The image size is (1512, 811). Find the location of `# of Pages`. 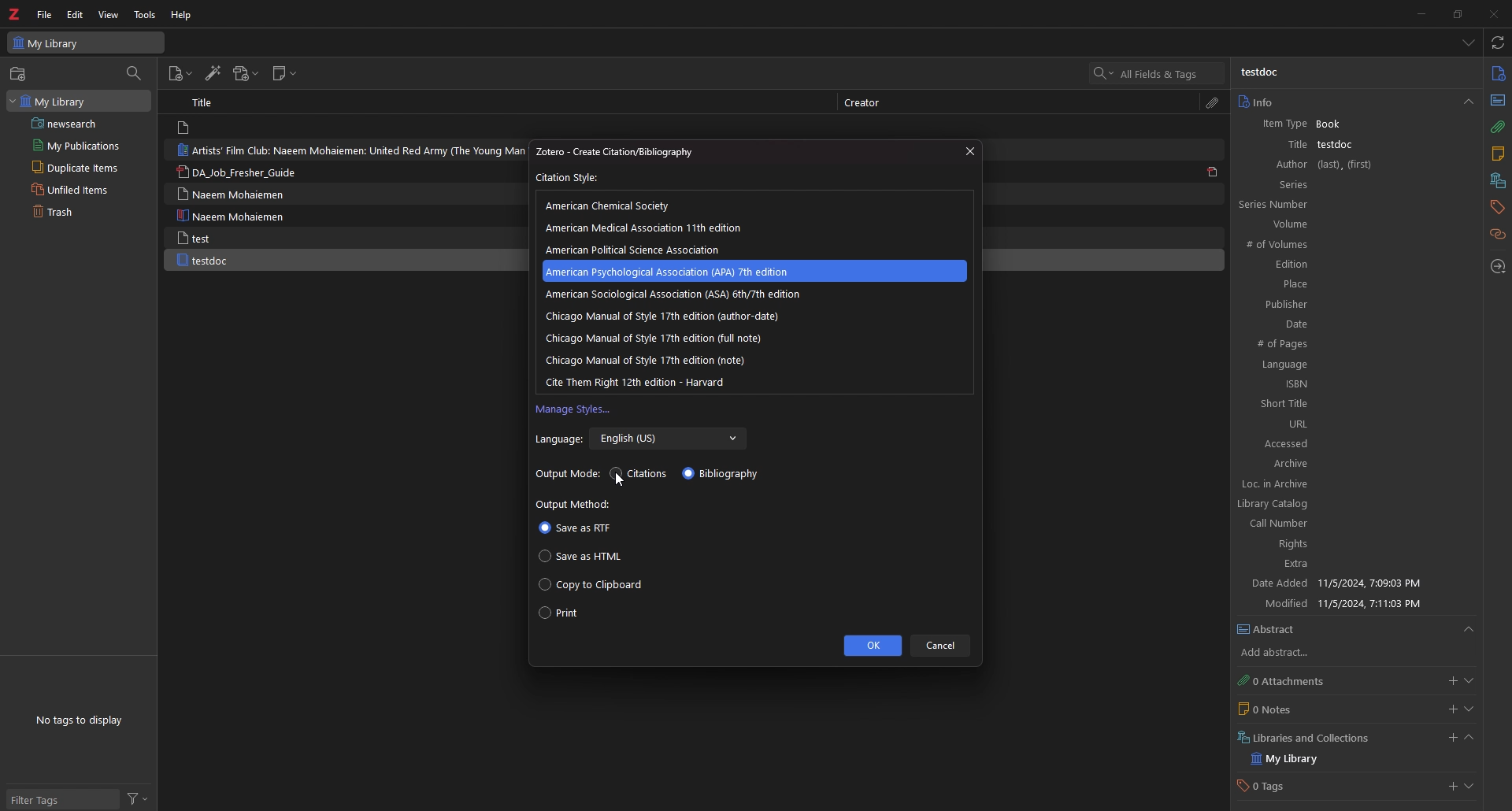

# of Pages is located at coordinates (1348, 345).